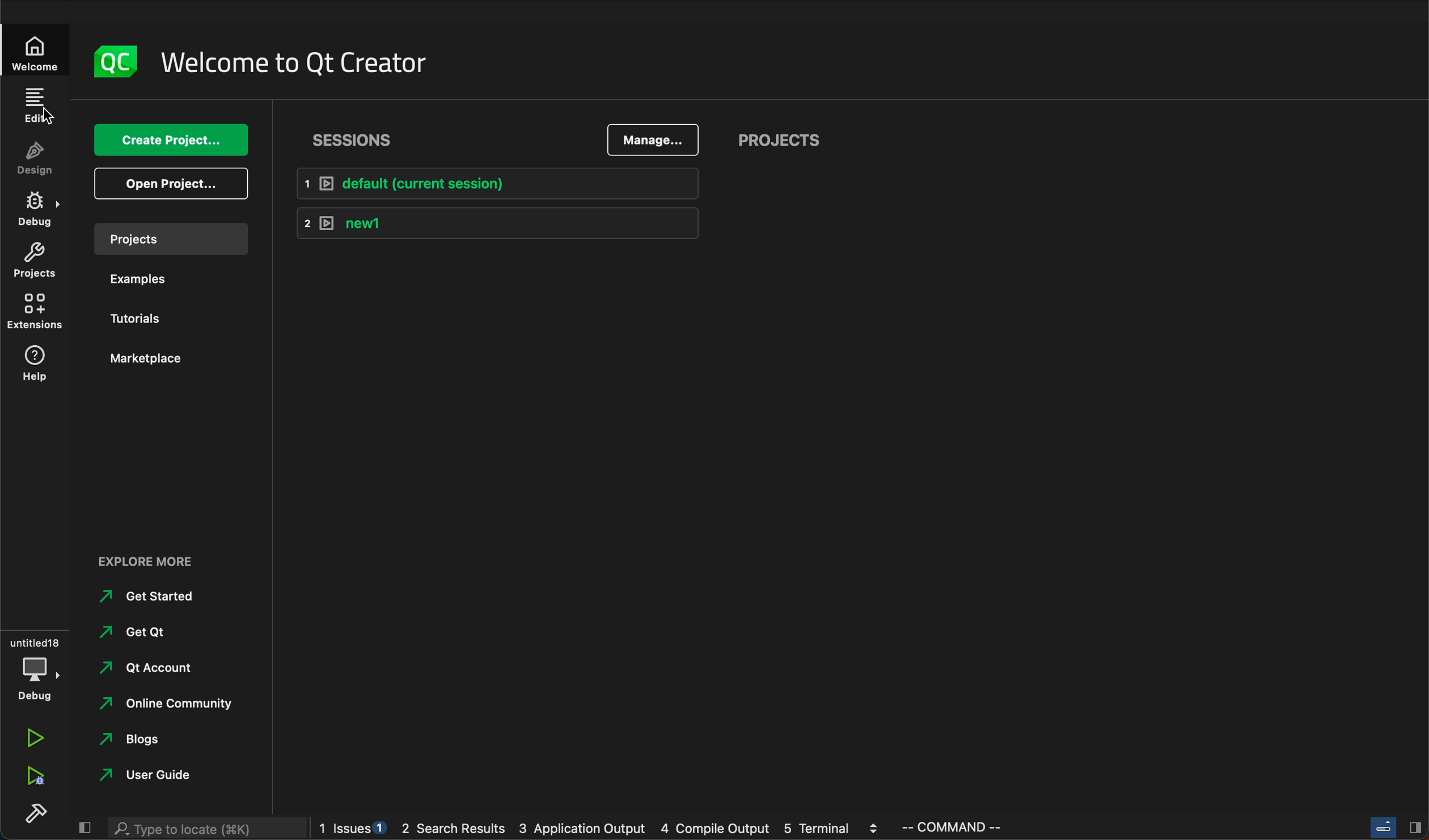  What do you see at coordinates (154, 596) in the screenshot?
I see `started` at bounding box center [154, 596].